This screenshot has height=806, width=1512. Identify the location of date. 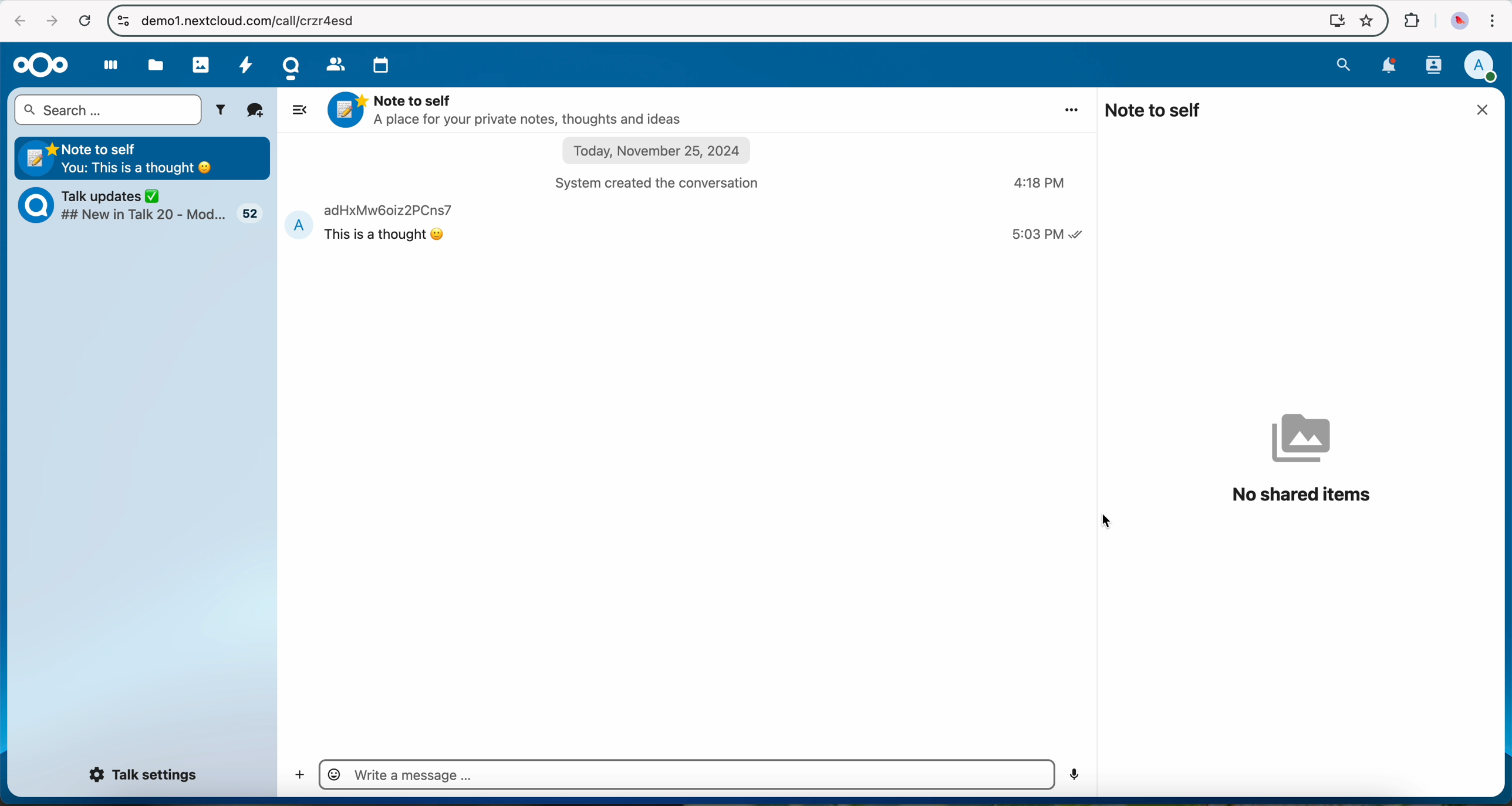
(659, 152).